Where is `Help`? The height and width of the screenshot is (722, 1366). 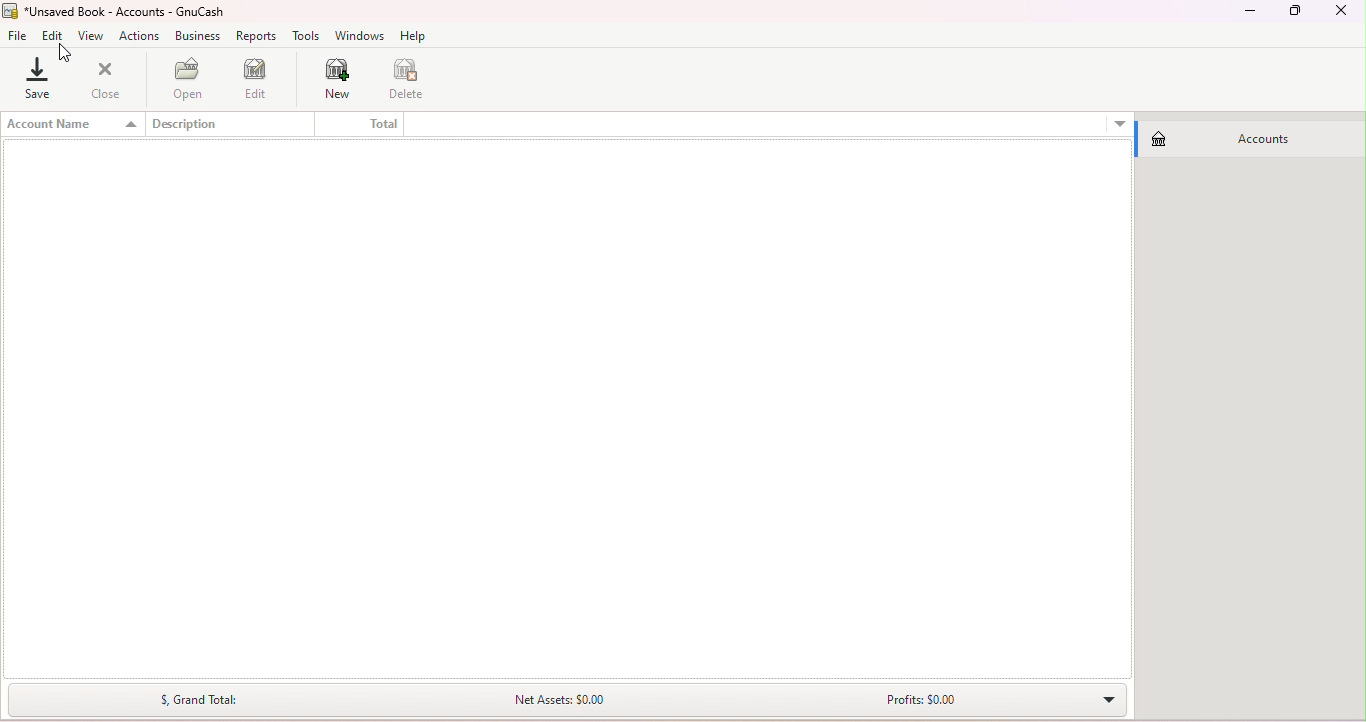 Help is located at coordinates (415, 32).